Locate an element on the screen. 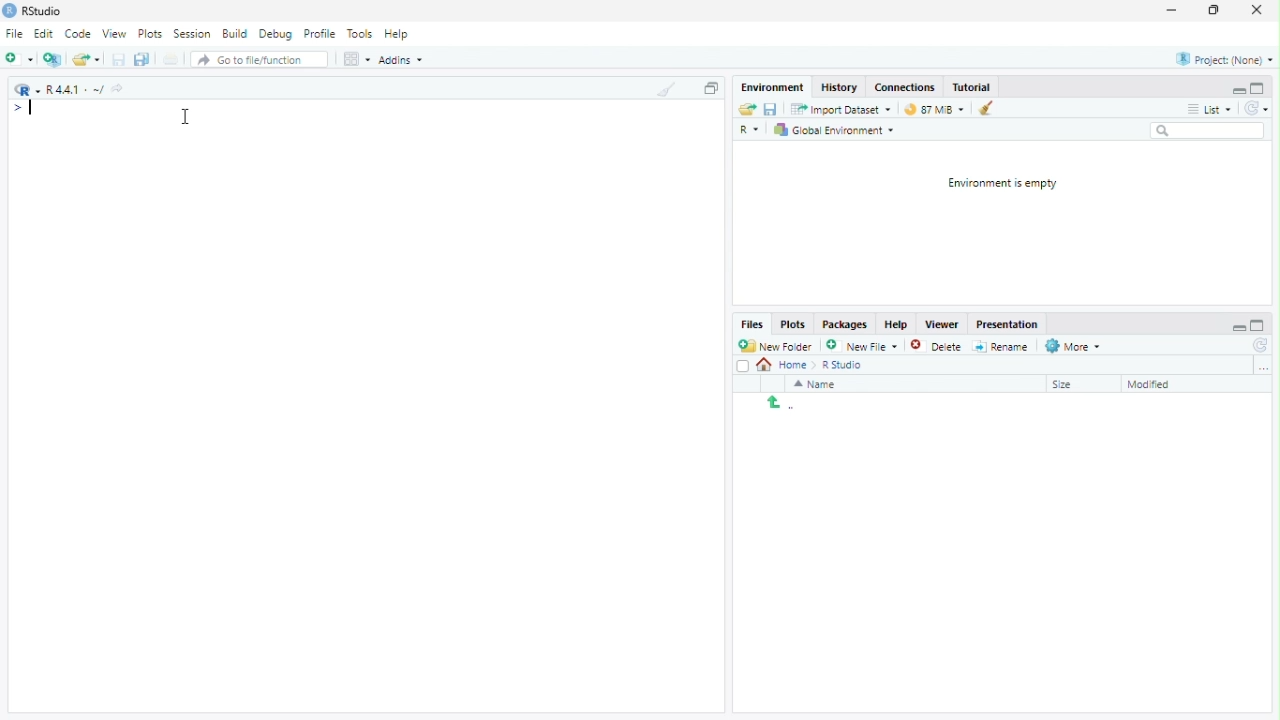 The height and width of the screenshot is (720, 1280). RStudio is located at coordinates (33, 11).